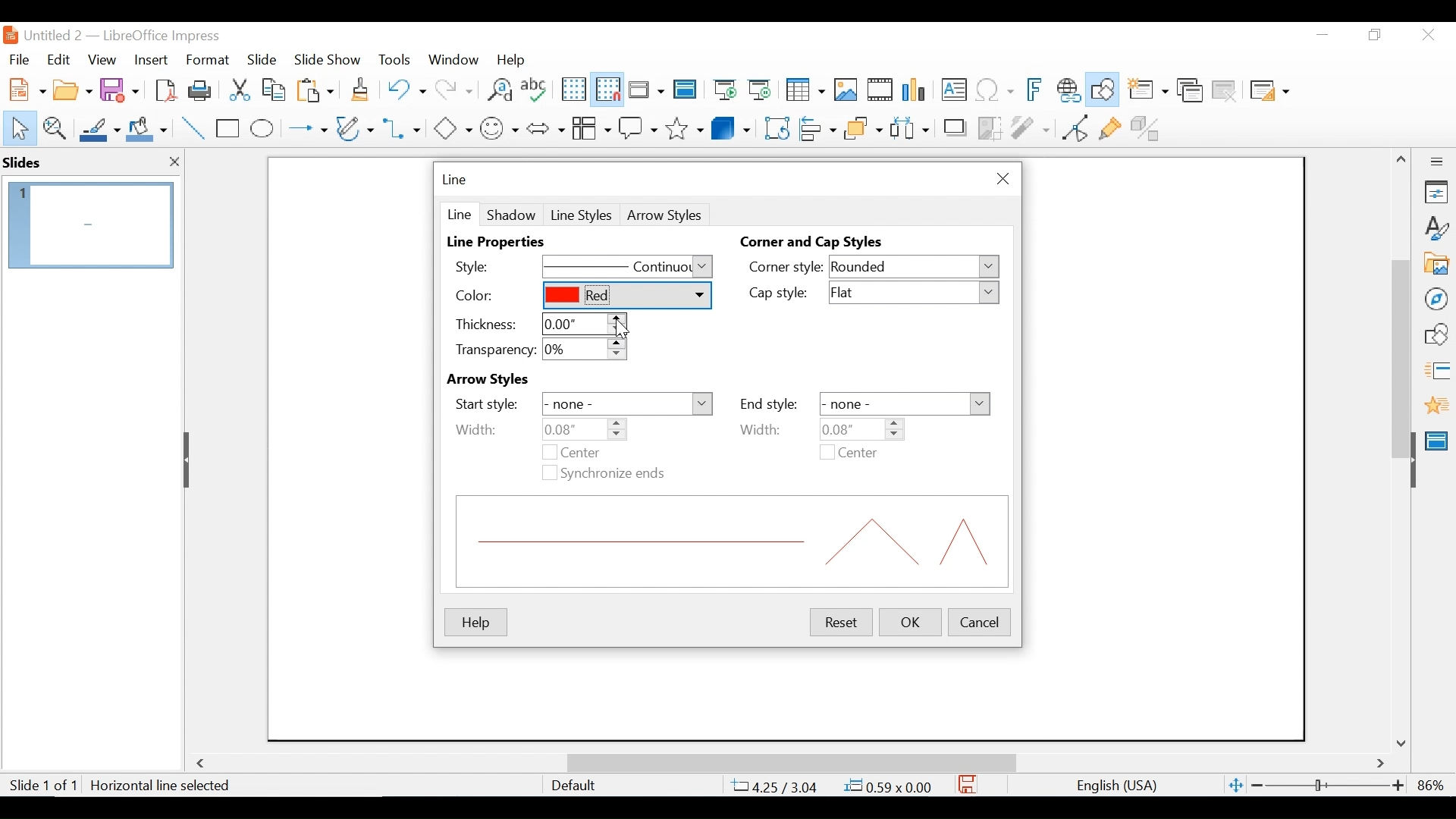 The height and width of the screenshot is (819, 1456). I want to click on Save, so click(121, 89).